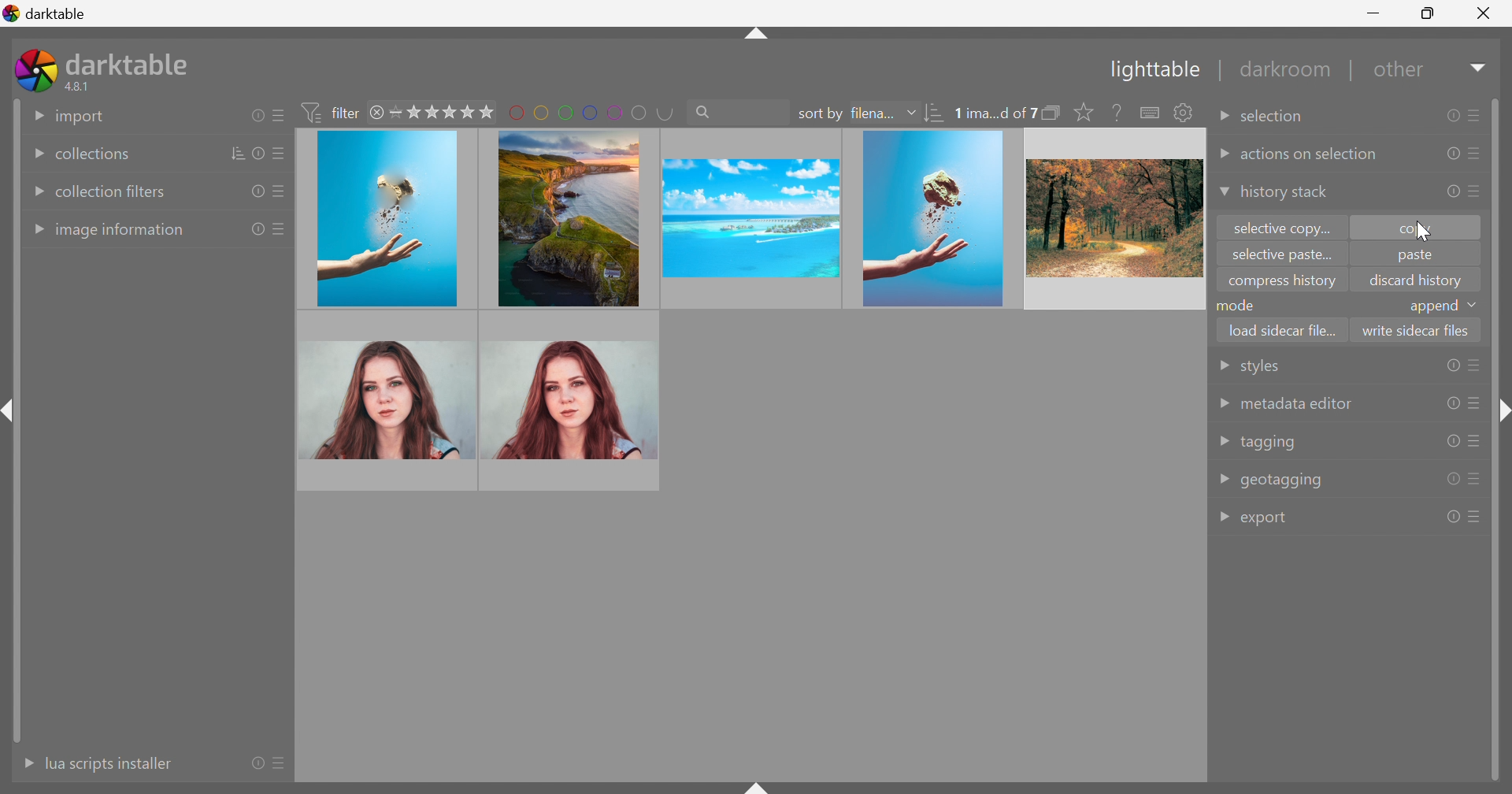  I want to click on Lighttable, so click(1151, 72).